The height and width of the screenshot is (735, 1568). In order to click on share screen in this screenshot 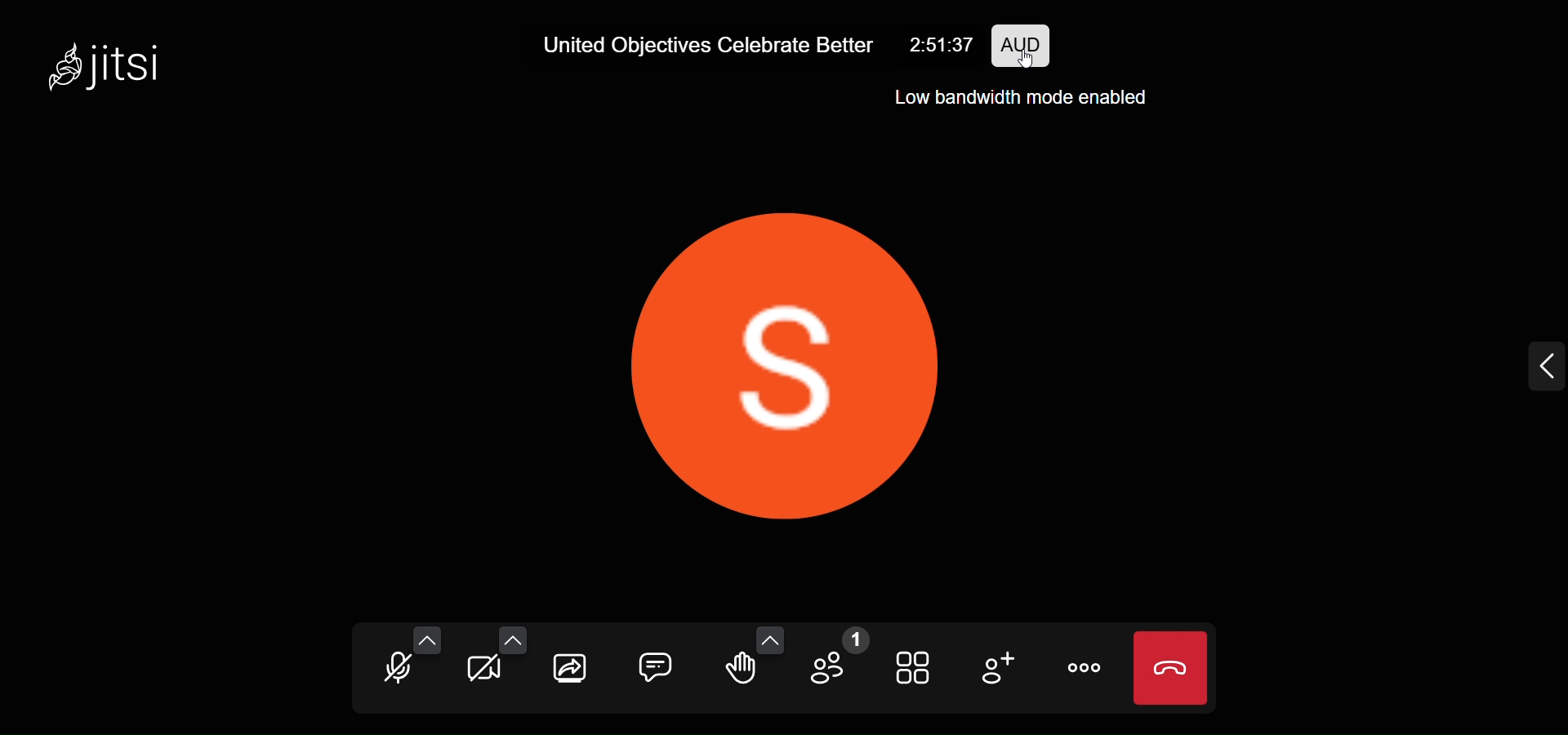, I will do `click(573, 668)`.